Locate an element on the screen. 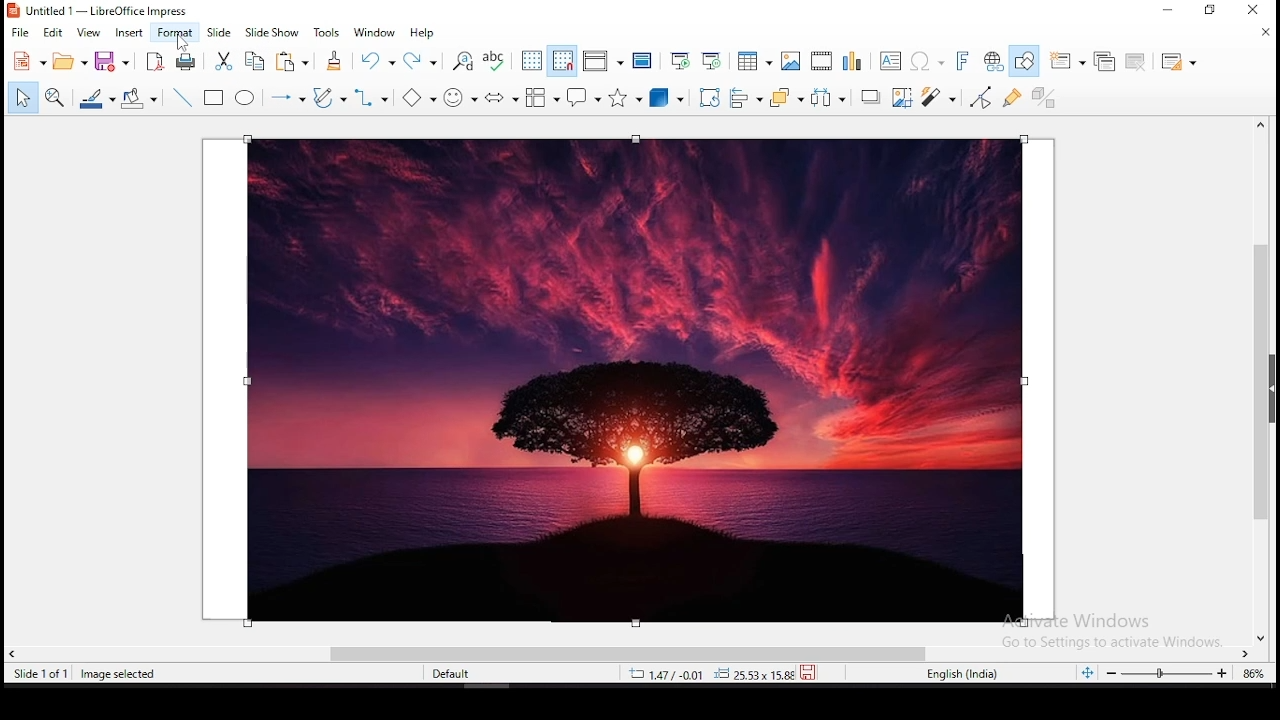 The image size is (1280, 720). text box is located at coordinates (890, 61).